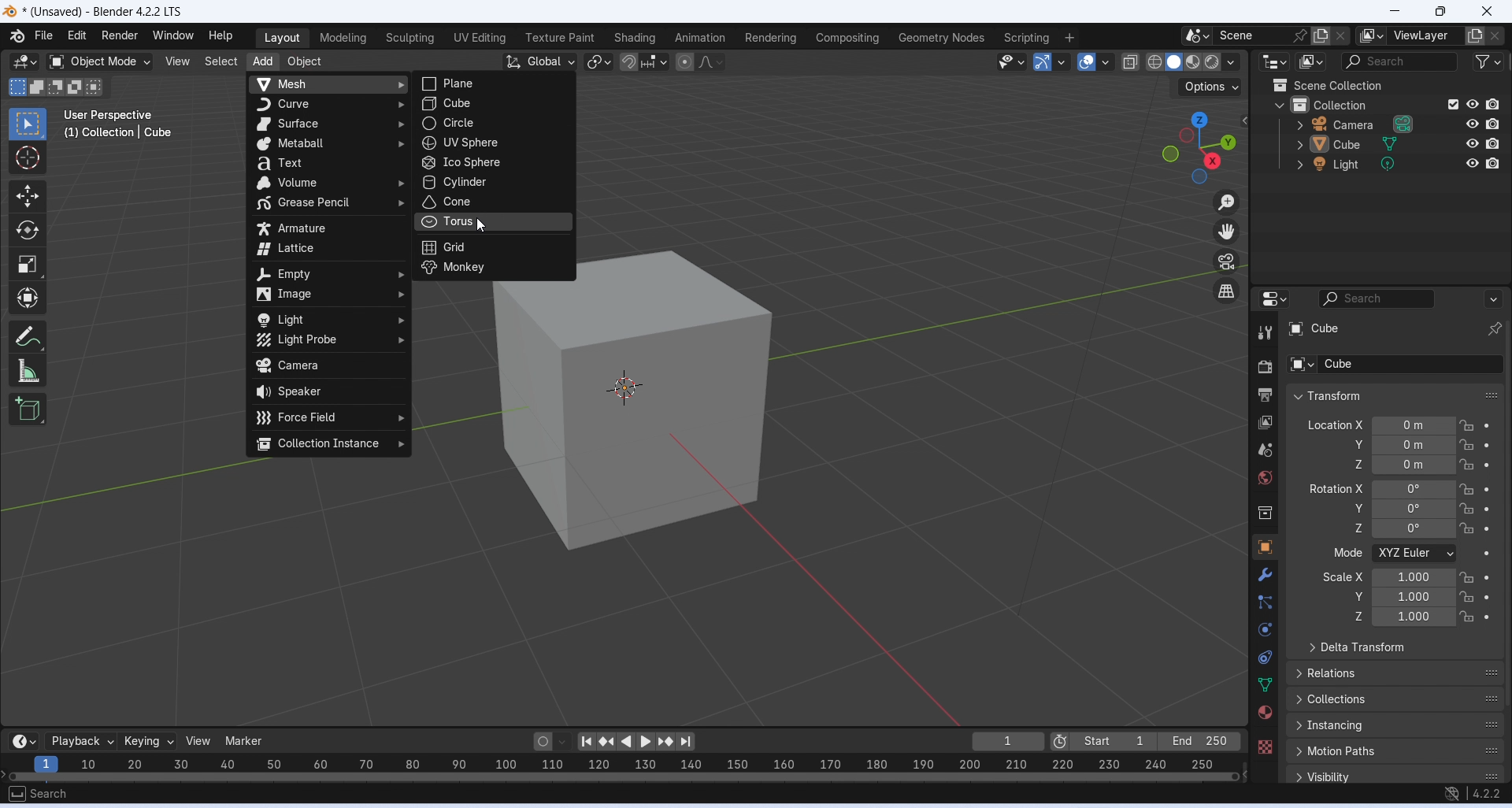  I want to click on Transform, so click(1325, 396).